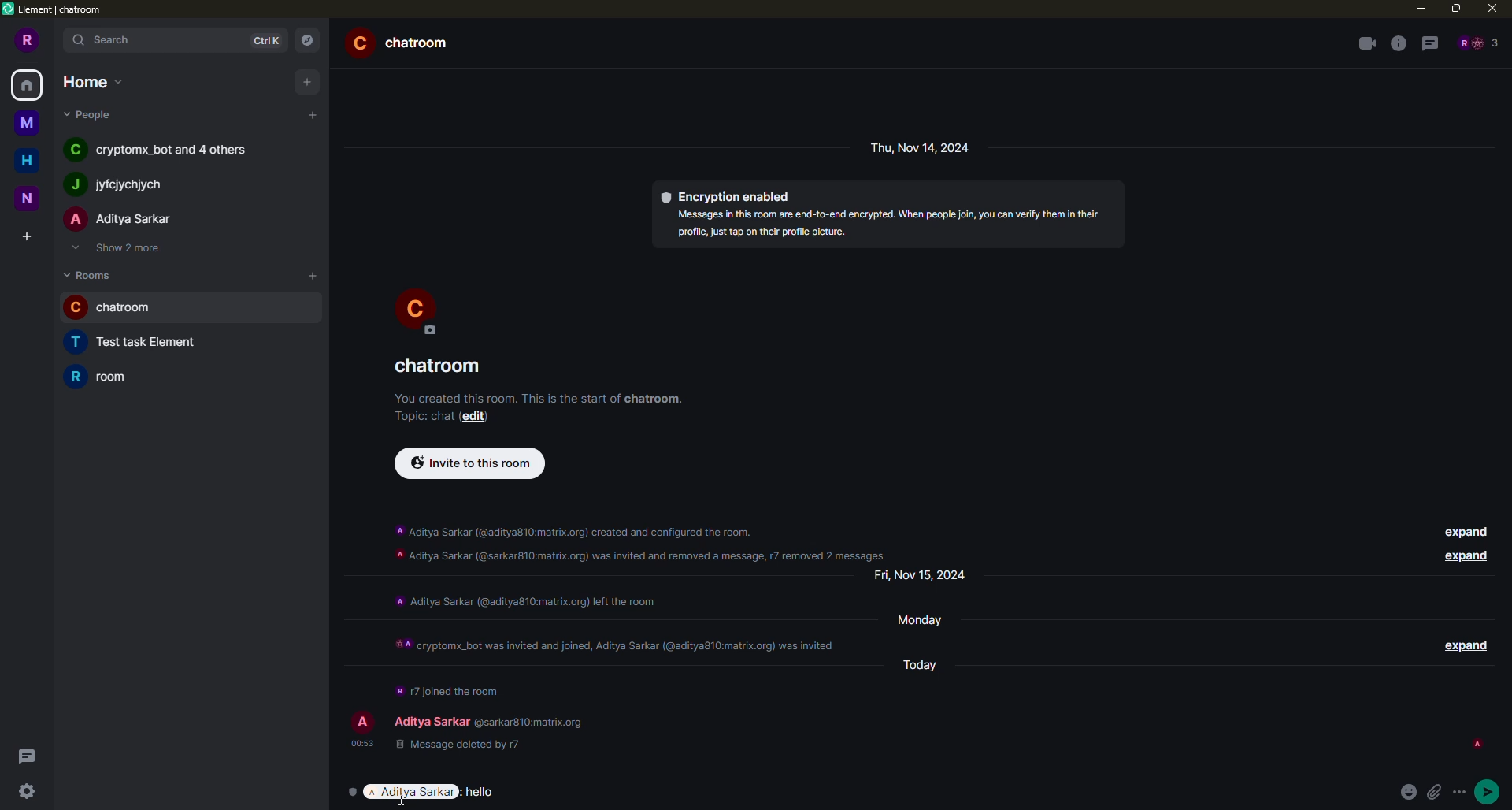 Image resolution: width=1512 pixels, height=810 pixels. Describe the element at coordinates (1410, 792) in the screenshot. I see `emoji` at that location.